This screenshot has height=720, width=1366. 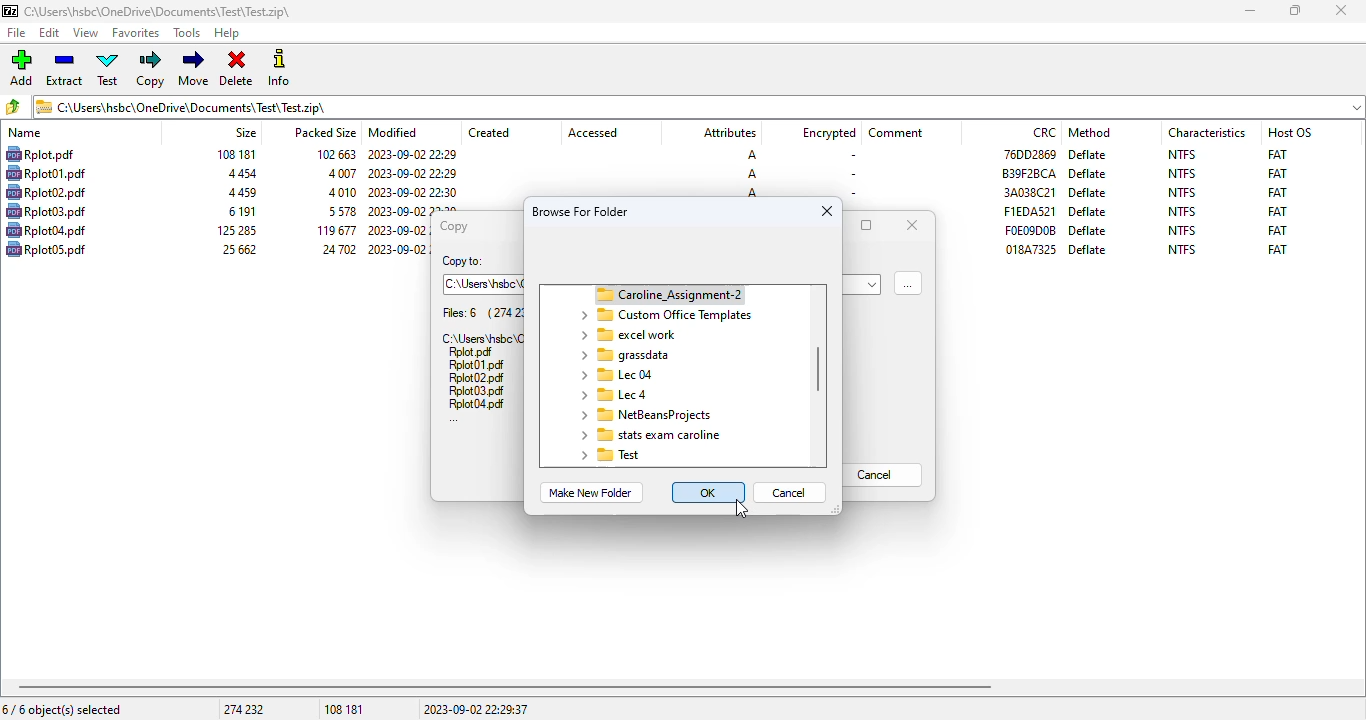 What do you see at coordinates (593, 133) in the screenshot?
I see `accessed` at bounding box center [593, 133].